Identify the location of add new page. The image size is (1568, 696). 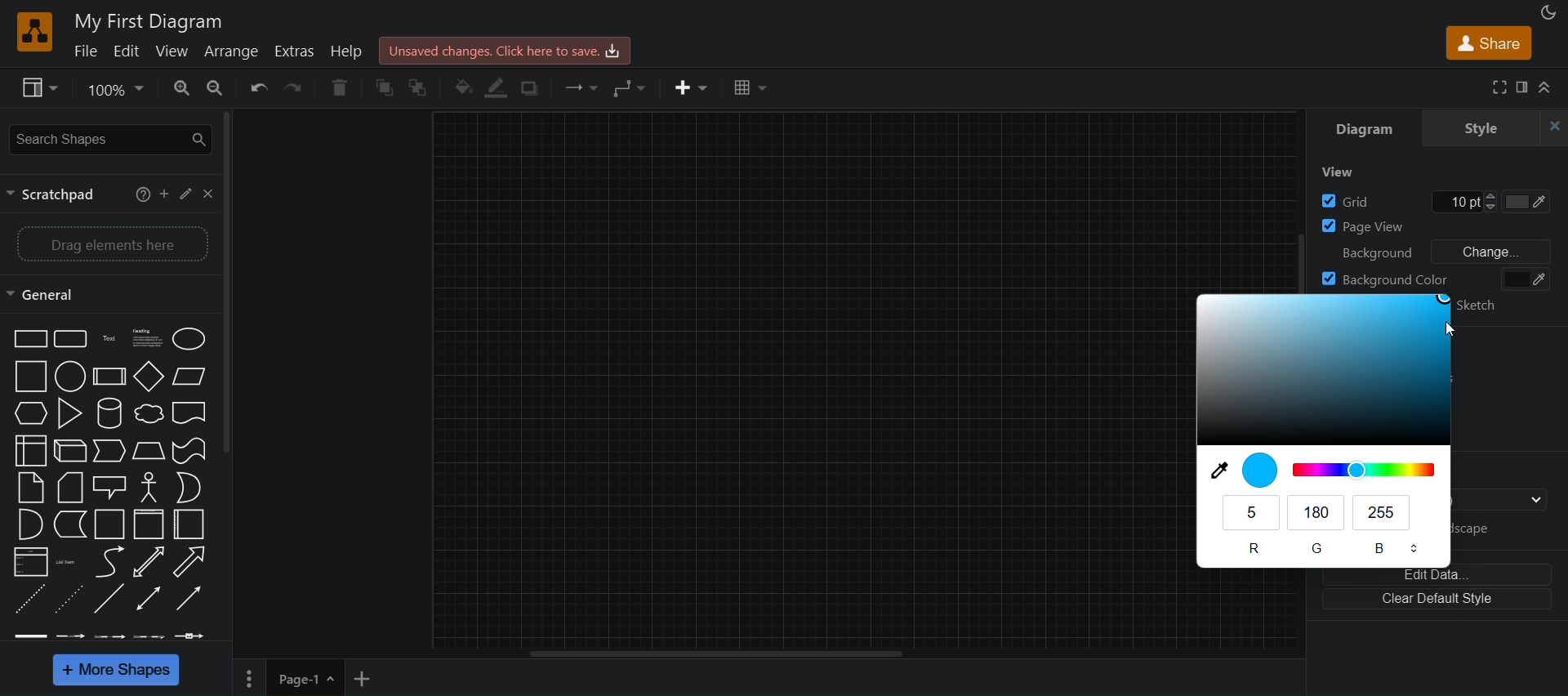
(367, 680).